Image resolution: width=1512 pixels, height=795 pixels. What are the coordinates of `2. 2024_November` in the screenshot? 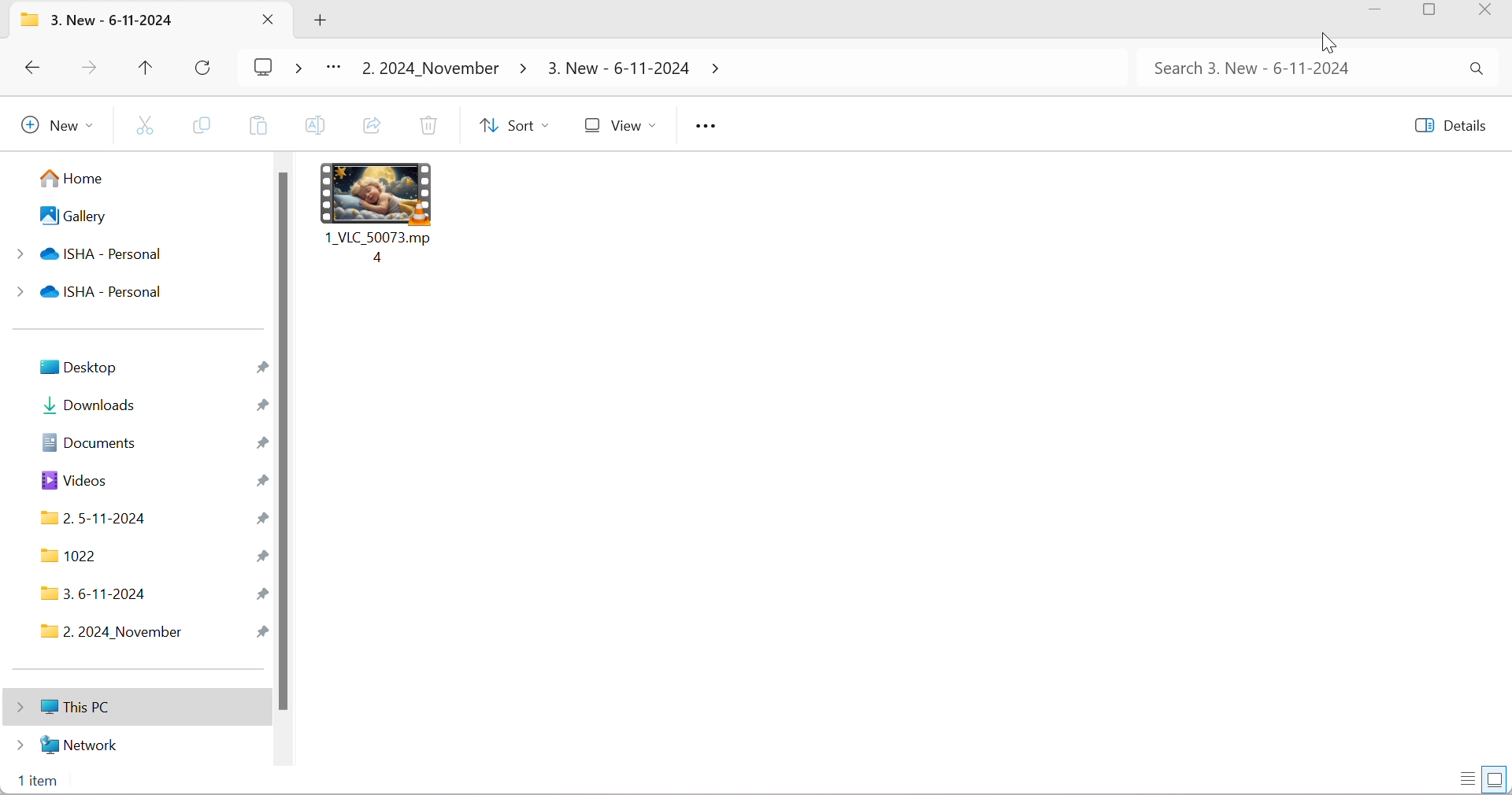 It's located at (116, 633).